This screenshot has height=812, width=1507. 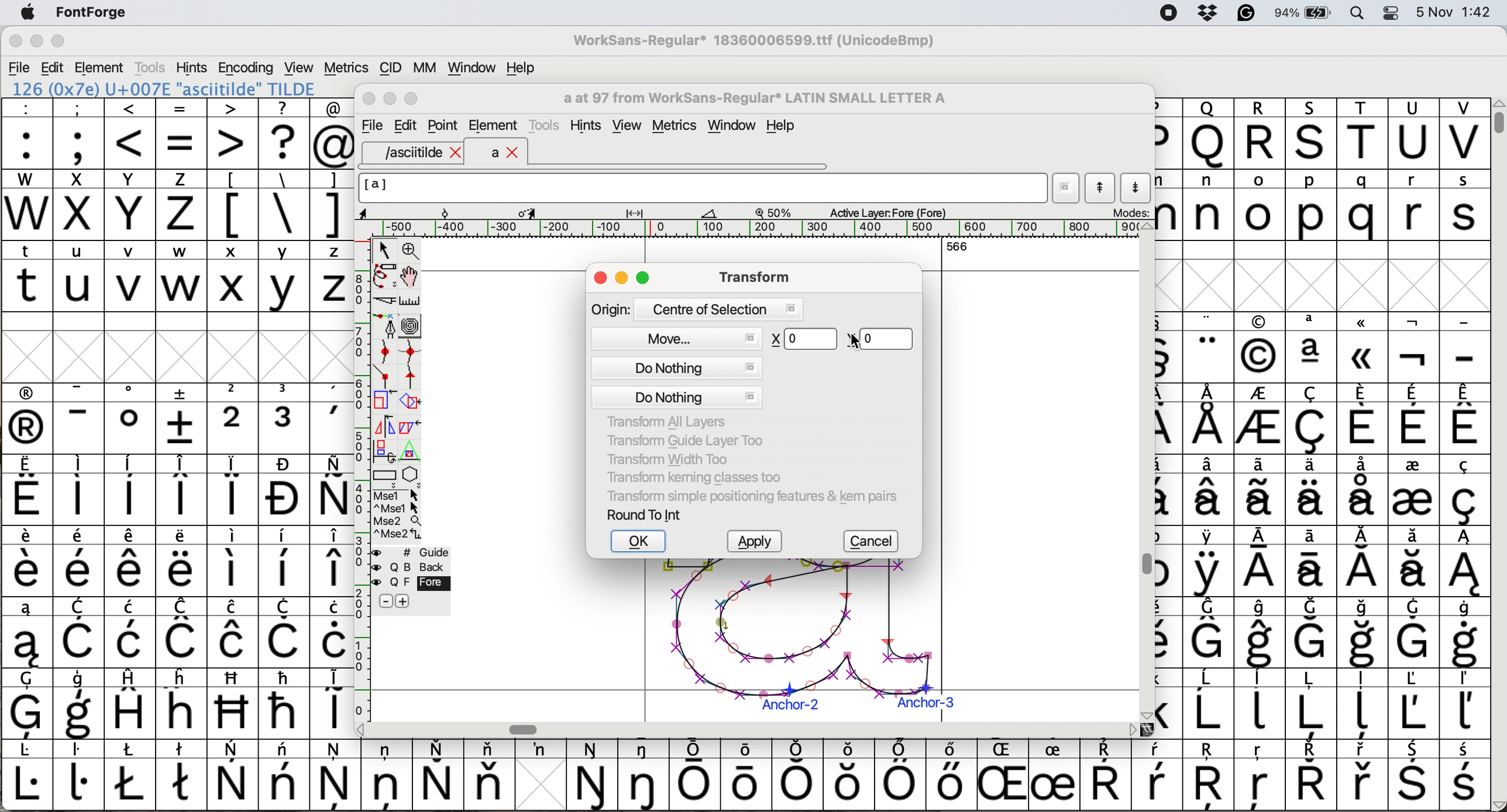 What do you see at coordinates (149, 67) in the screenshot?
I see `tools` at bounding box center [149, 67].